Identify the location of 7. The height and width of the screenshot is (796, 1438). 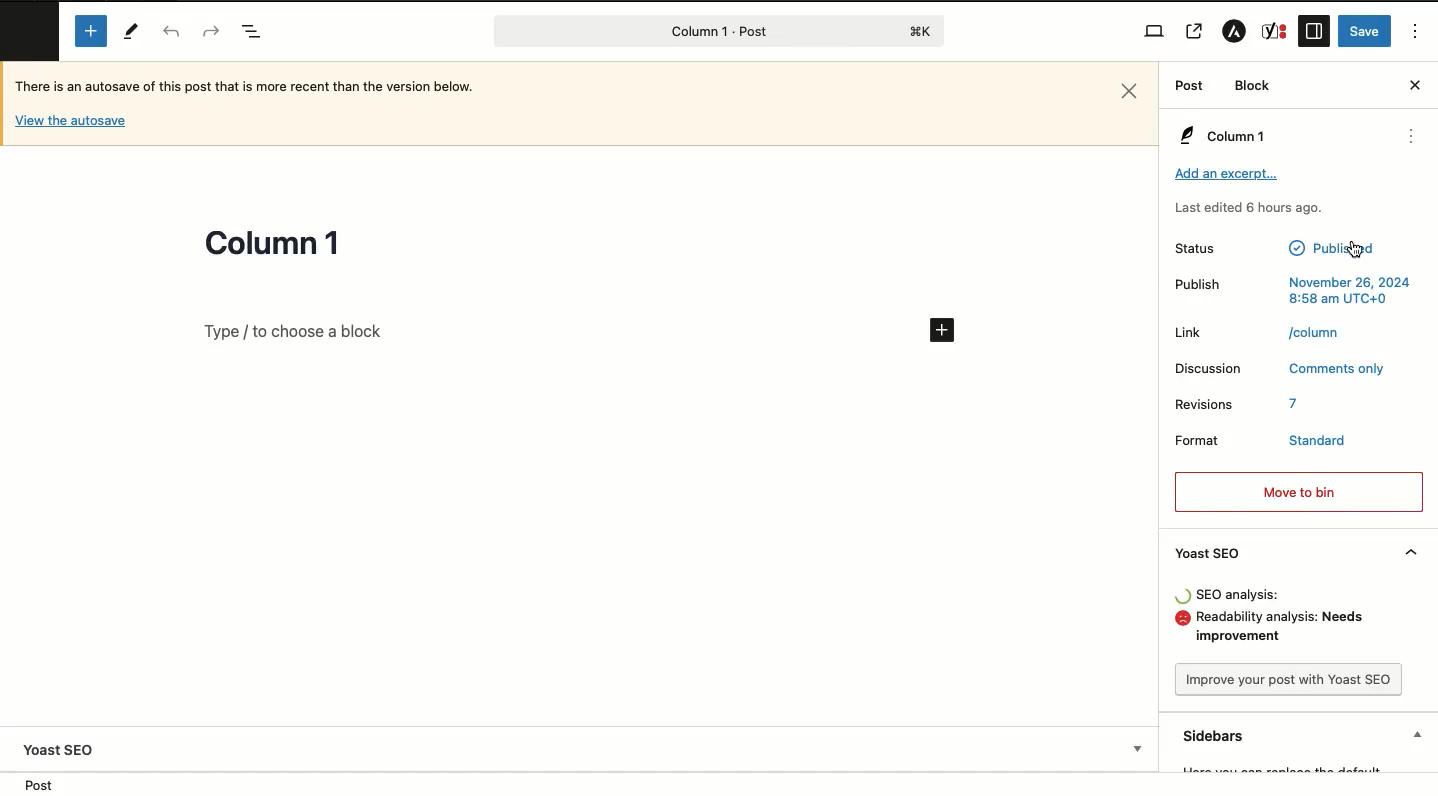
(1295, 404).